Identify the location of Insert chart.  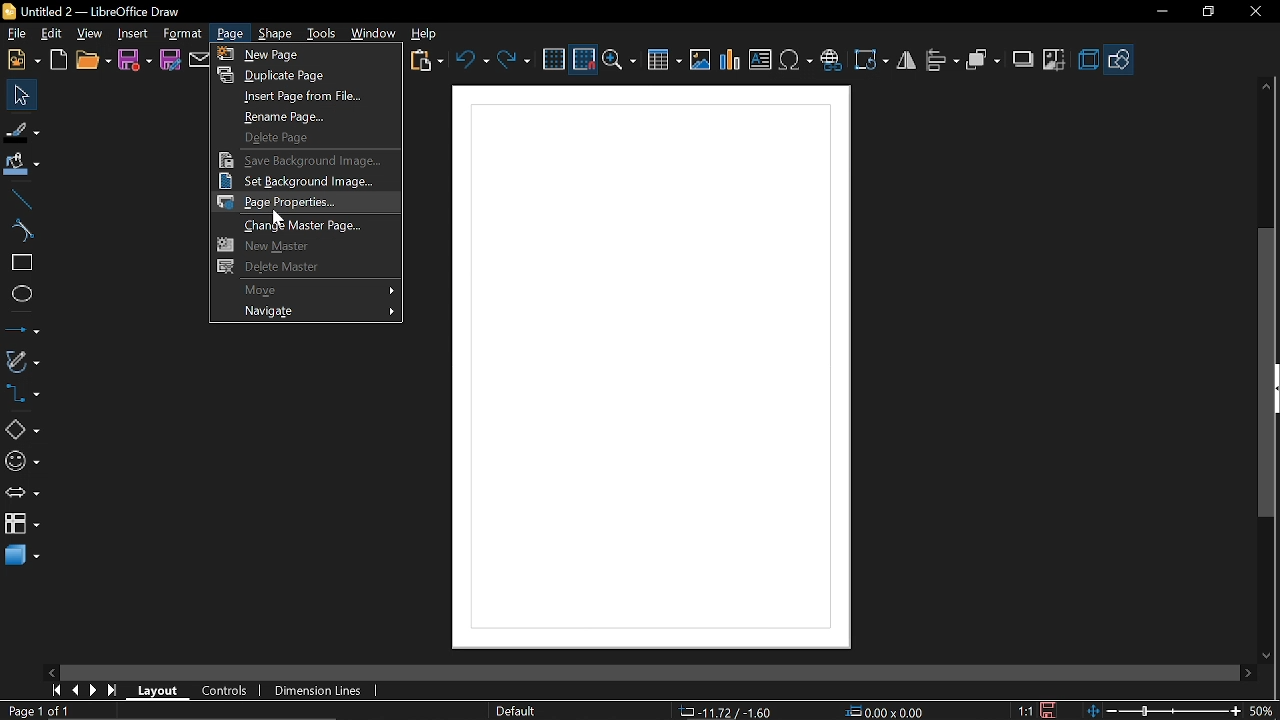
(730, 62).